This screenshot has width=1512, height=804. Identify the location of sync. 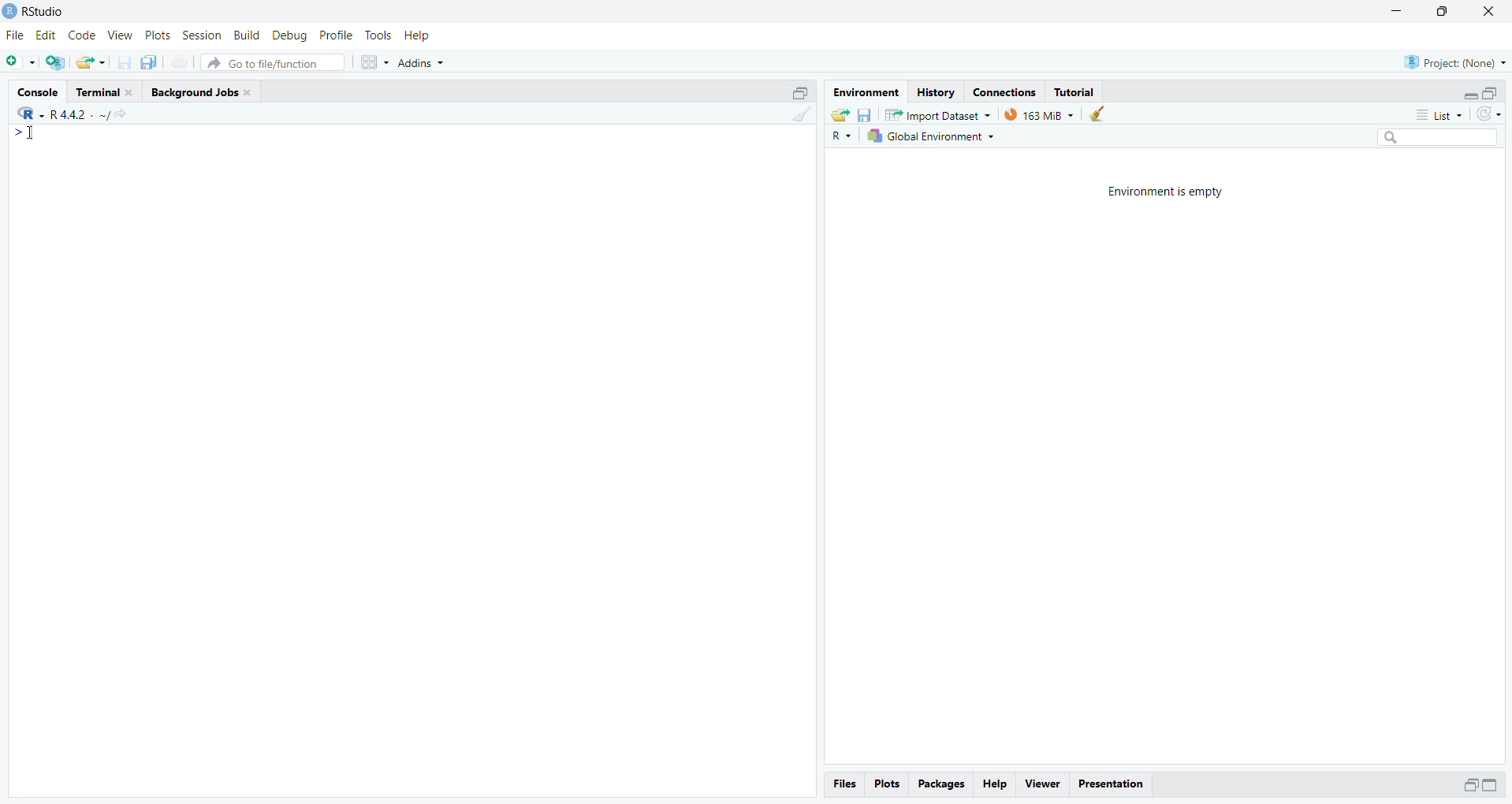
(1490, 114).